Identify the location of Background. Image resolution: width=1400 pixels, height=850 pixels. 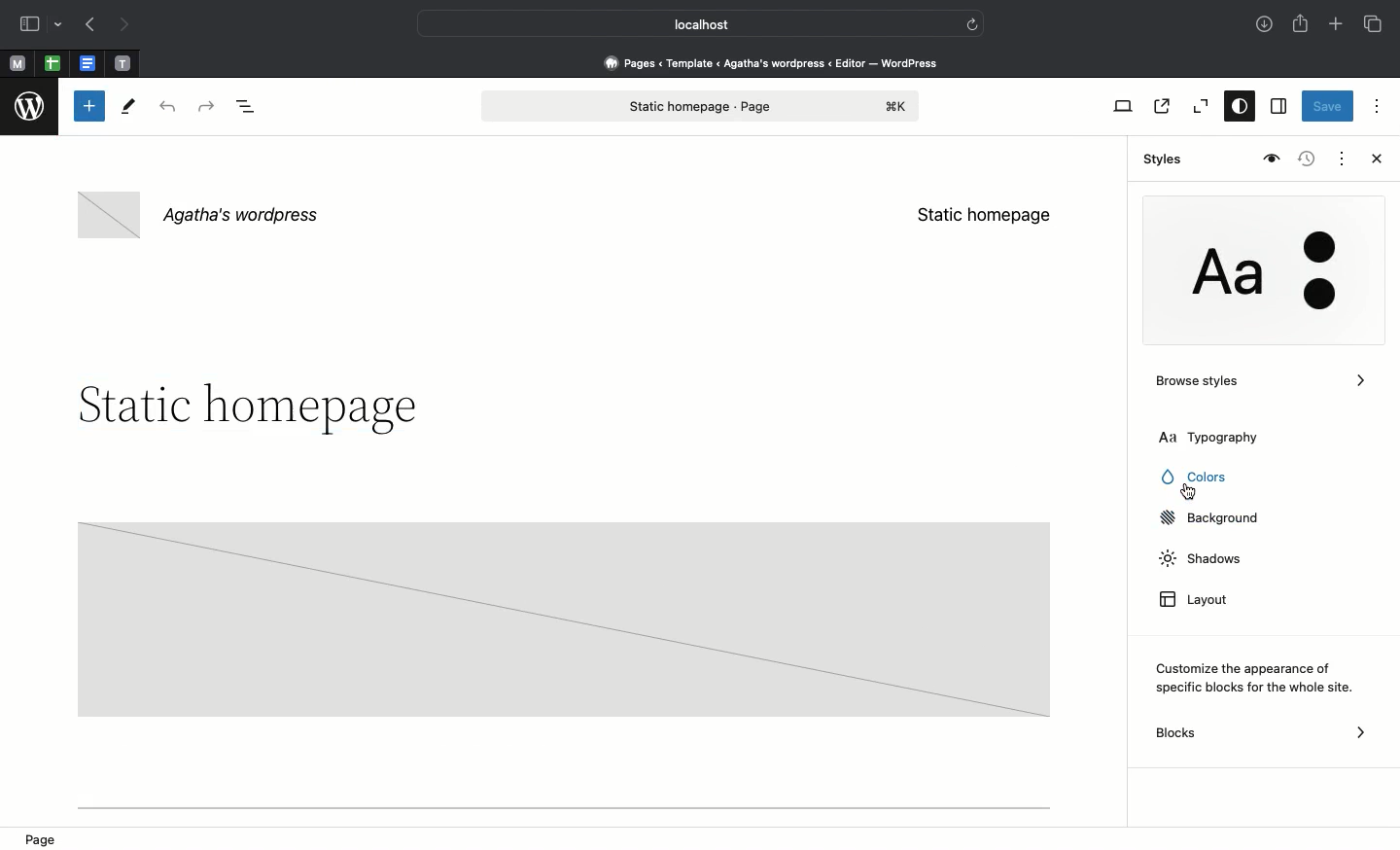
(1215, 518).